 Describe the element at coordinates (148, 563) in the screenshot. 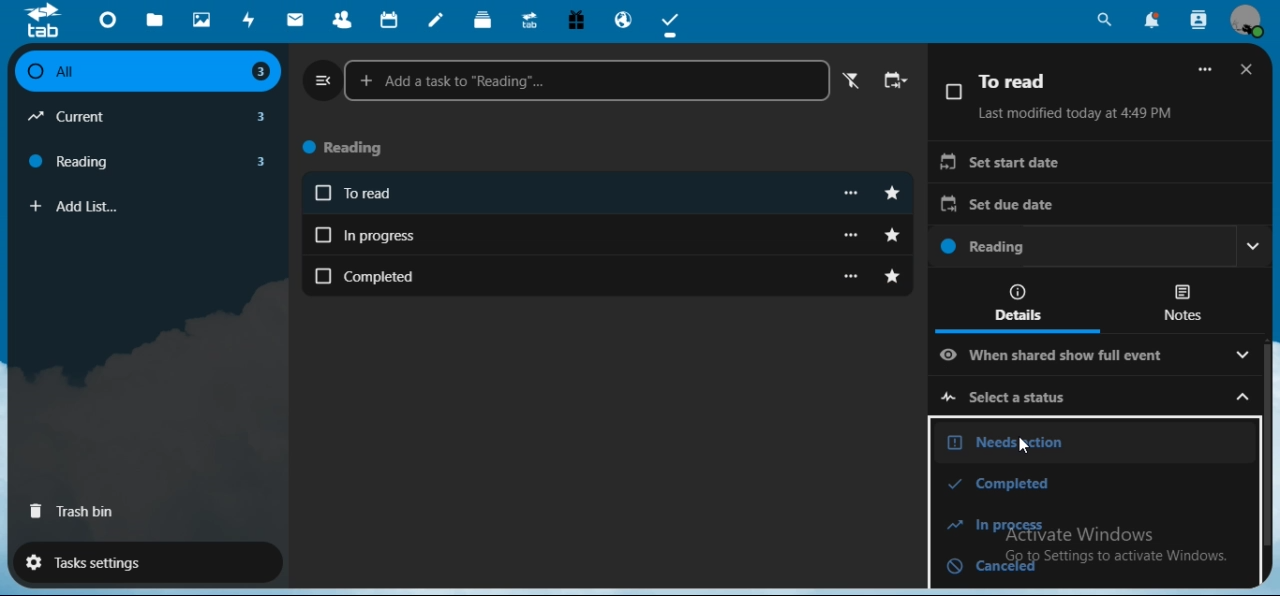

I see `tasks settings` at that location.